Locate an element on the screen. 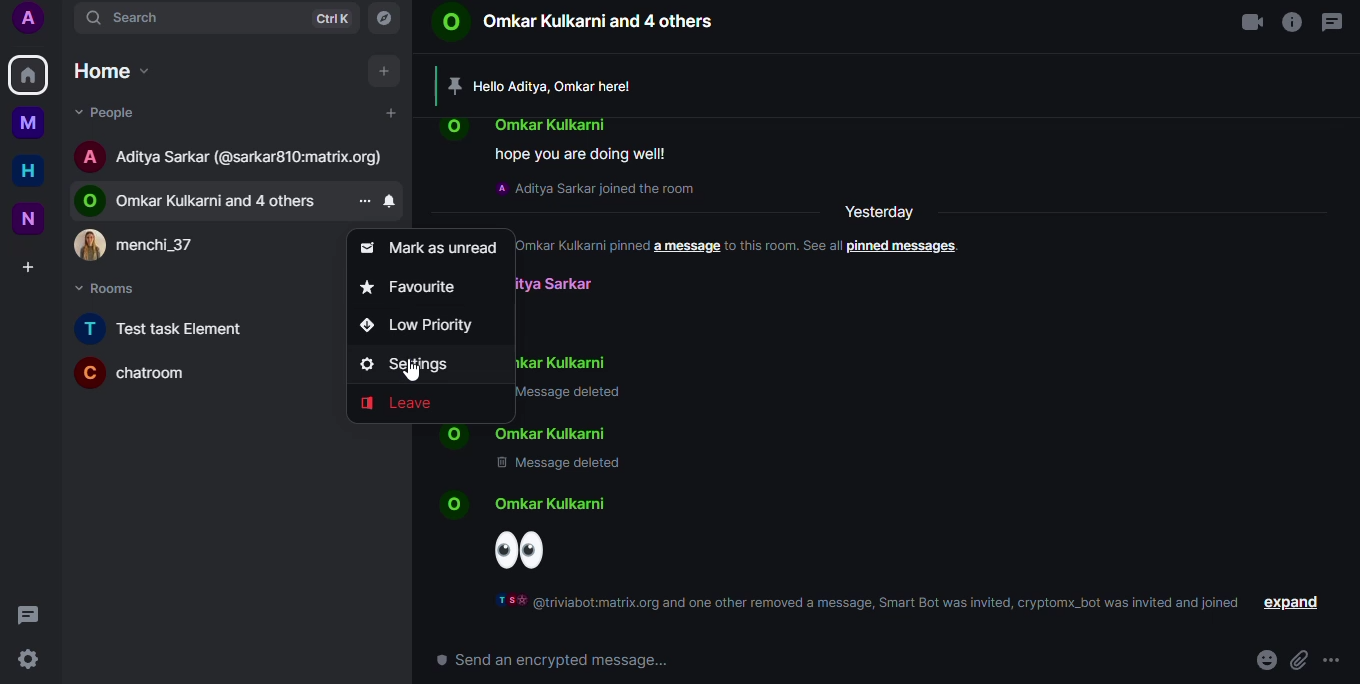 This screenshot has width=1360, height=684. yesterday is located at coordinates (879, 212).